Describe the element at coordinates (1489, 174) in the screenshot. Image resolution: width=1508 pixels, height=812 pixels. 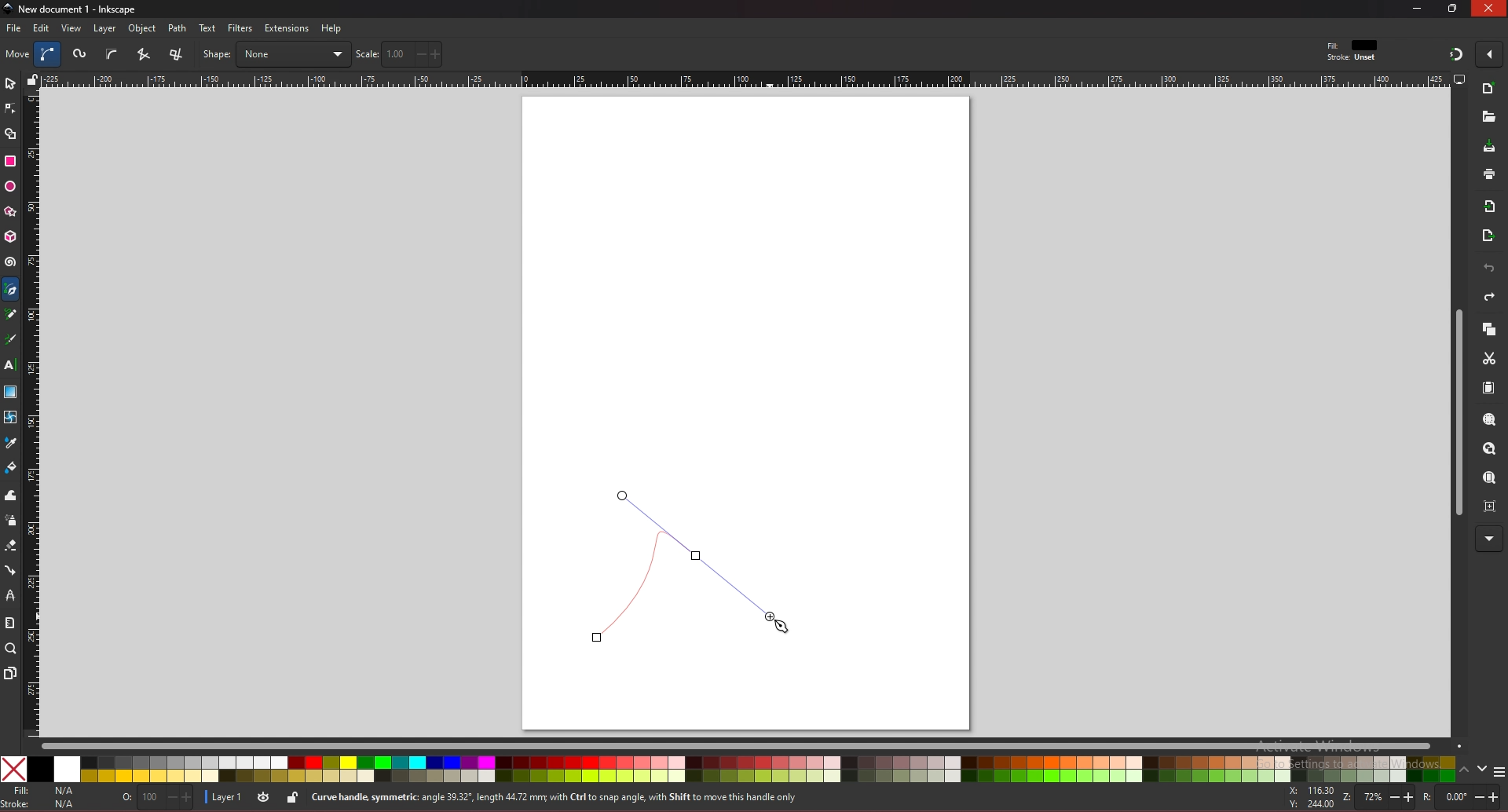
I see `print` at that location.